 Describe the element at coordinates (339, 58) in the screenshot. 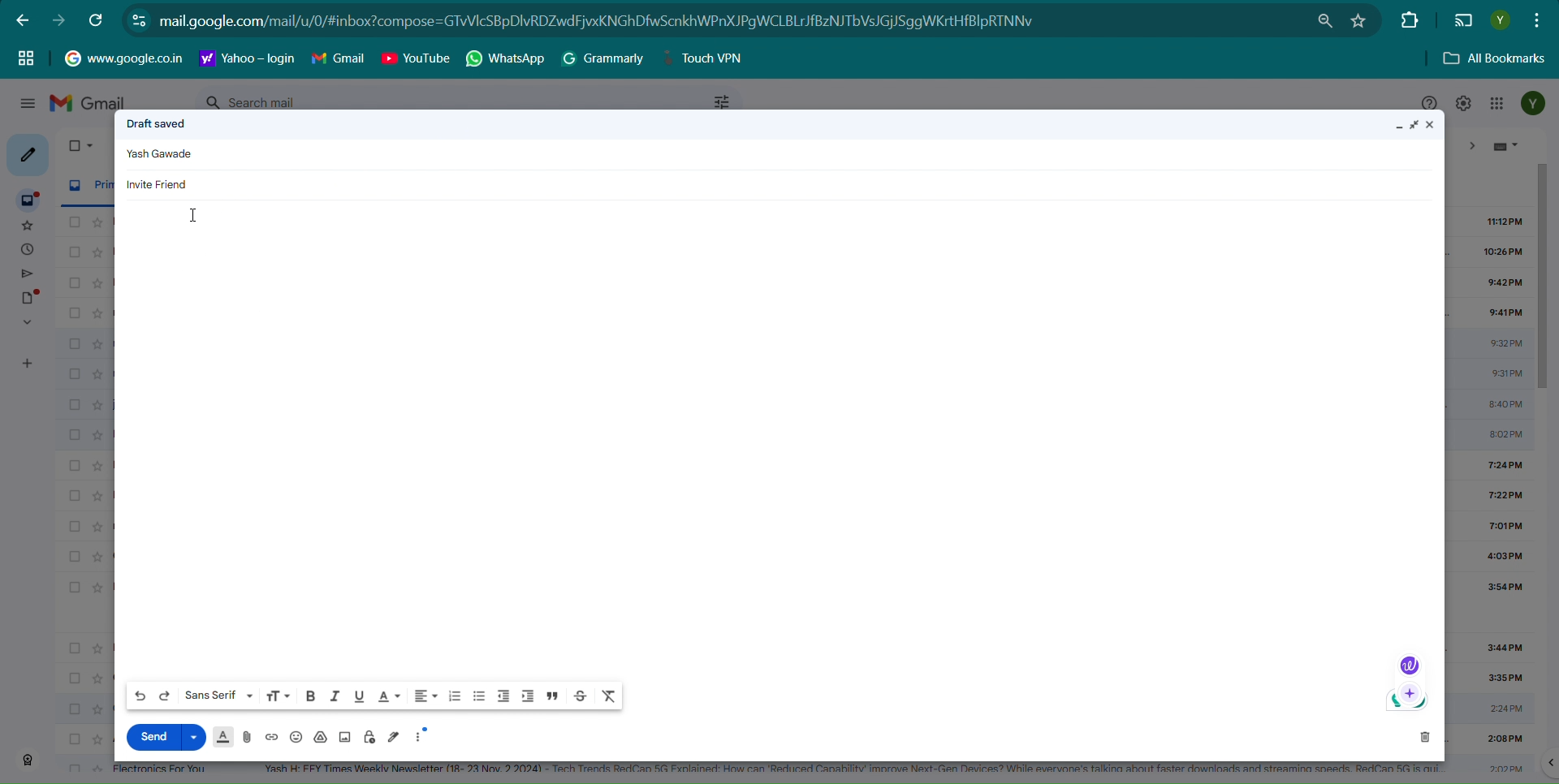

I see `Gmail` at that location.